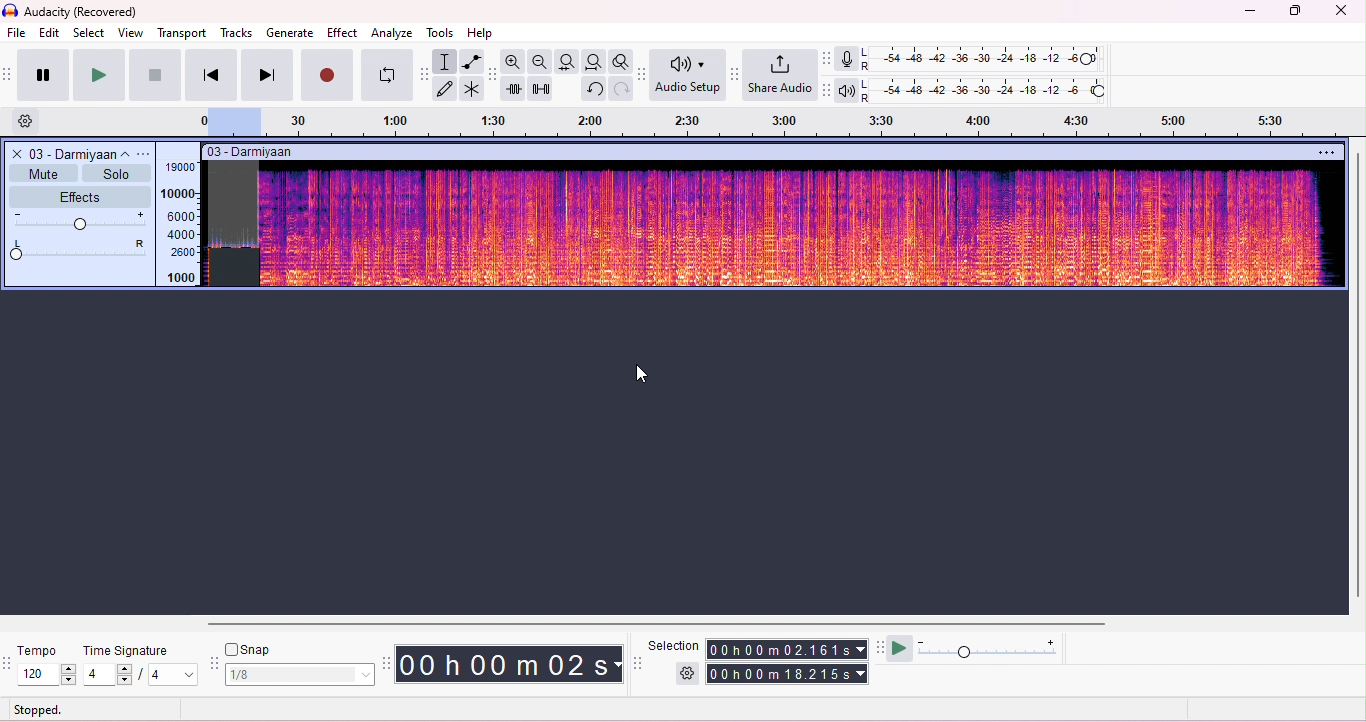 This screenshot has width=1366, height=722. Describe the element at coordinates (181, 224) in the screenshot. I see `frequency` at that location.